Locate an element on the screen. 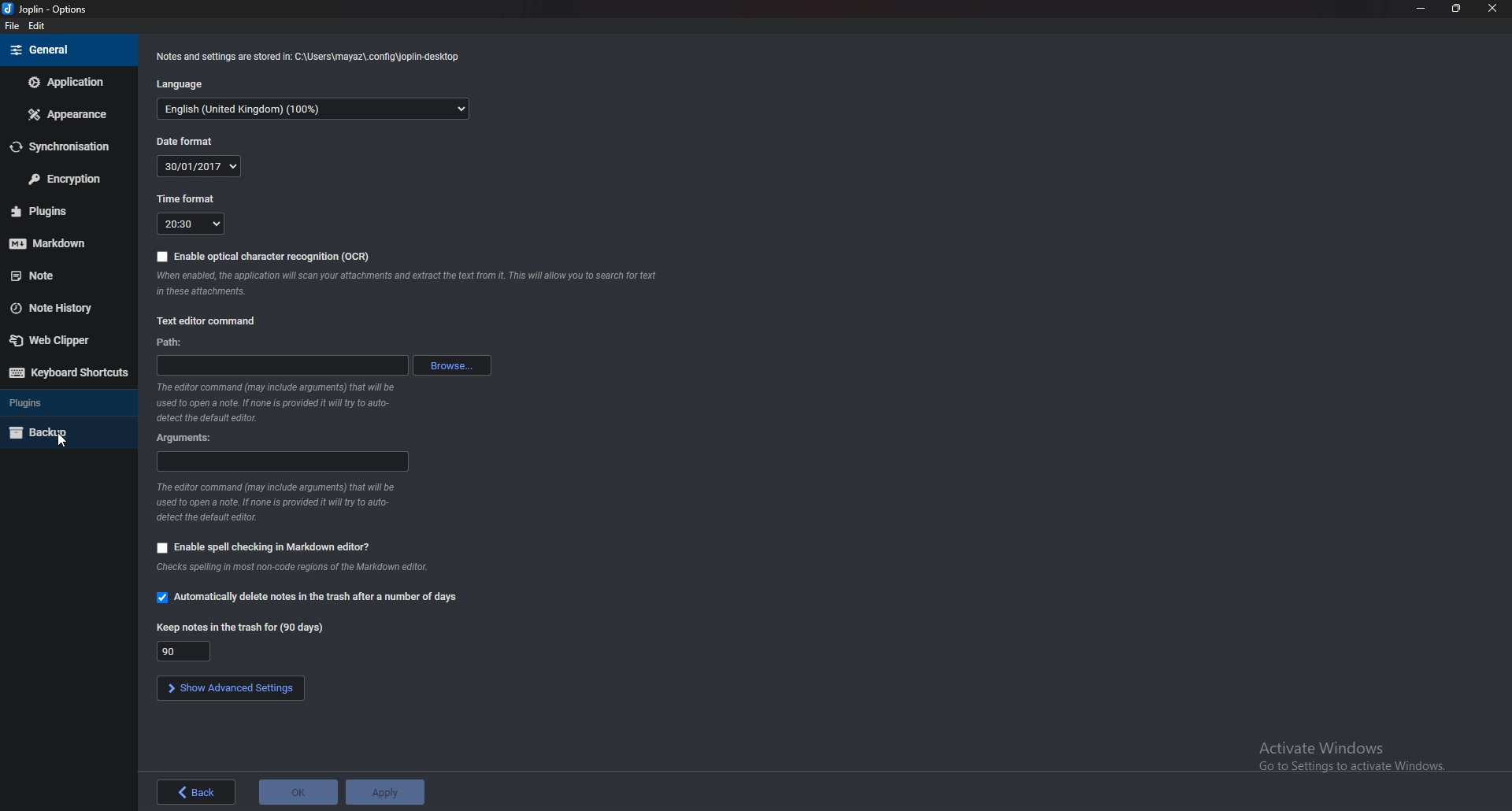 Image resolution: width=1512 pixels, height=811 pixels. info is located at coordinates (406, 285).